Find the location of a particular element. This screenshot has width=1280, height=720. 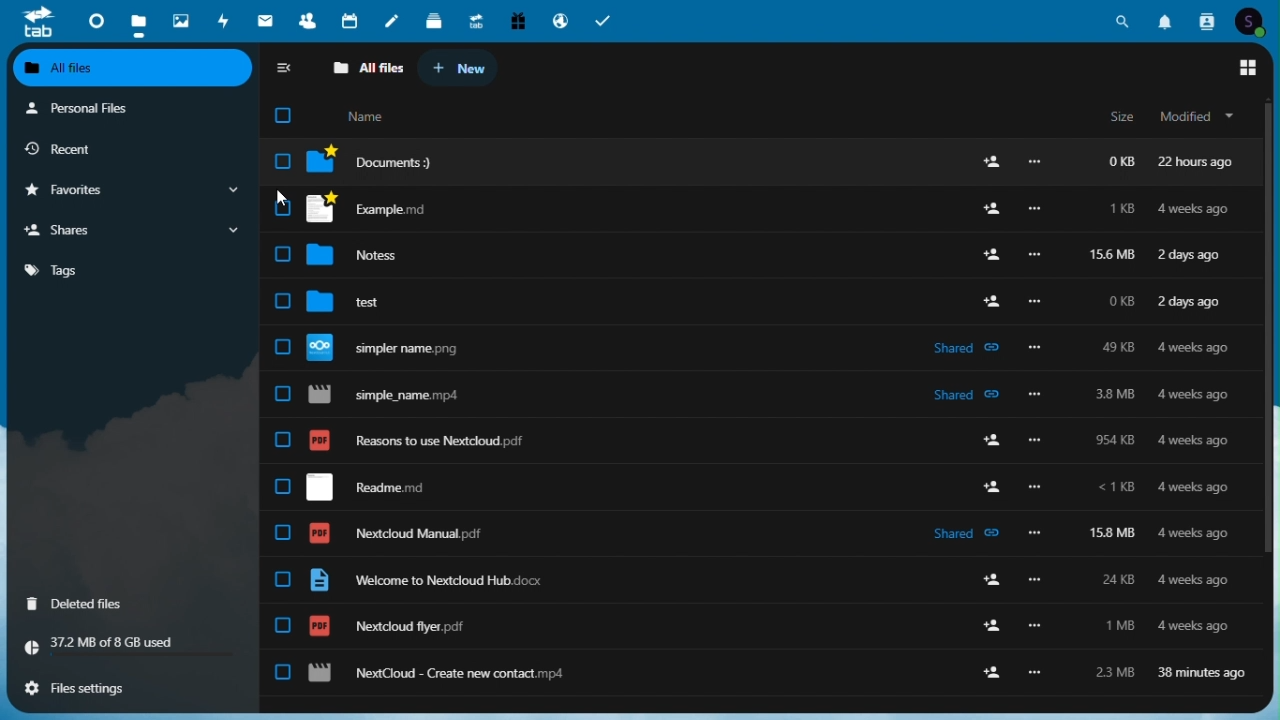

check box is located at coordinates (280, 346).